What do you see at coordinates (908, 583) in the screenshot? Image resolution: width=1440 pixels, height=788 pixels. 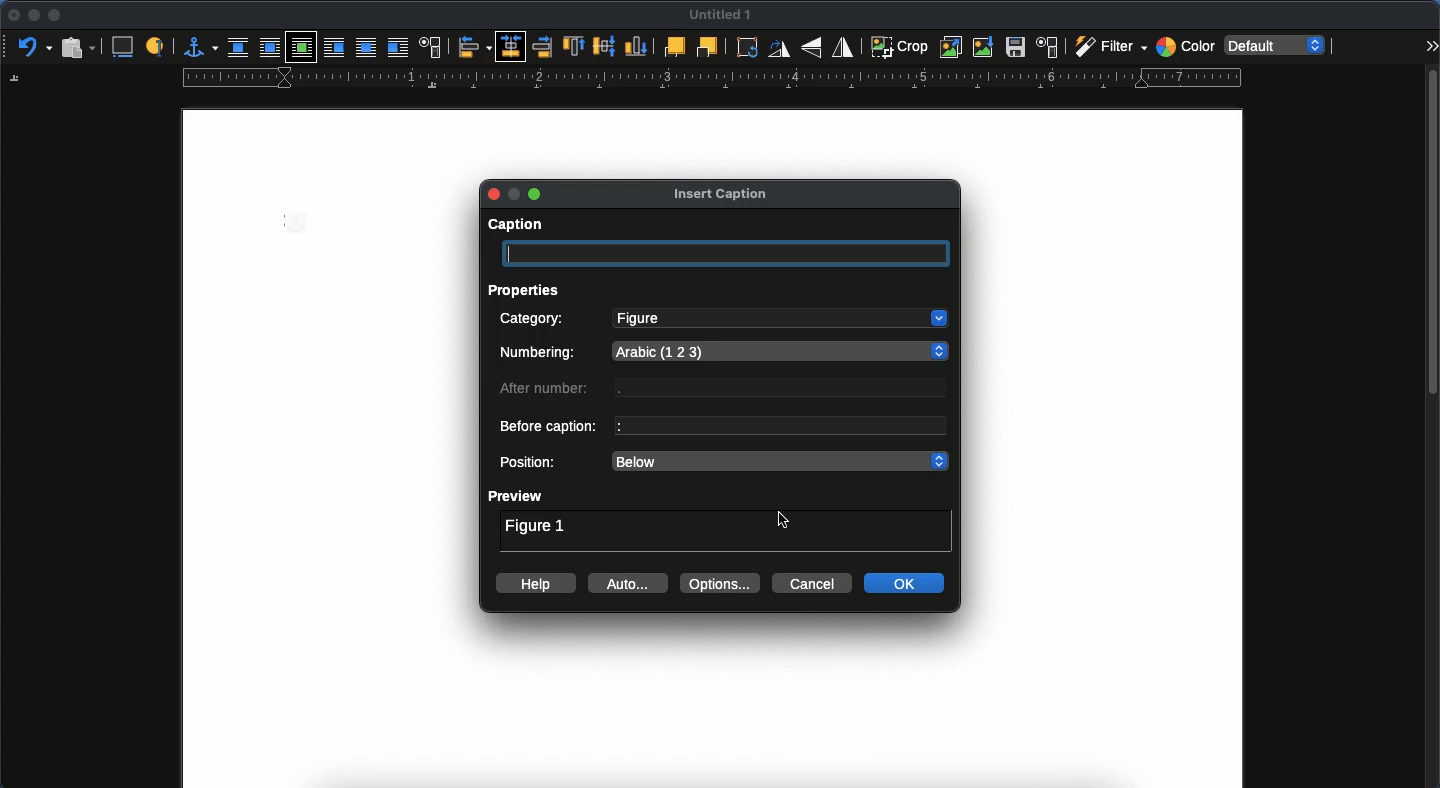 I see `ok` at bounding box center [908, 583].